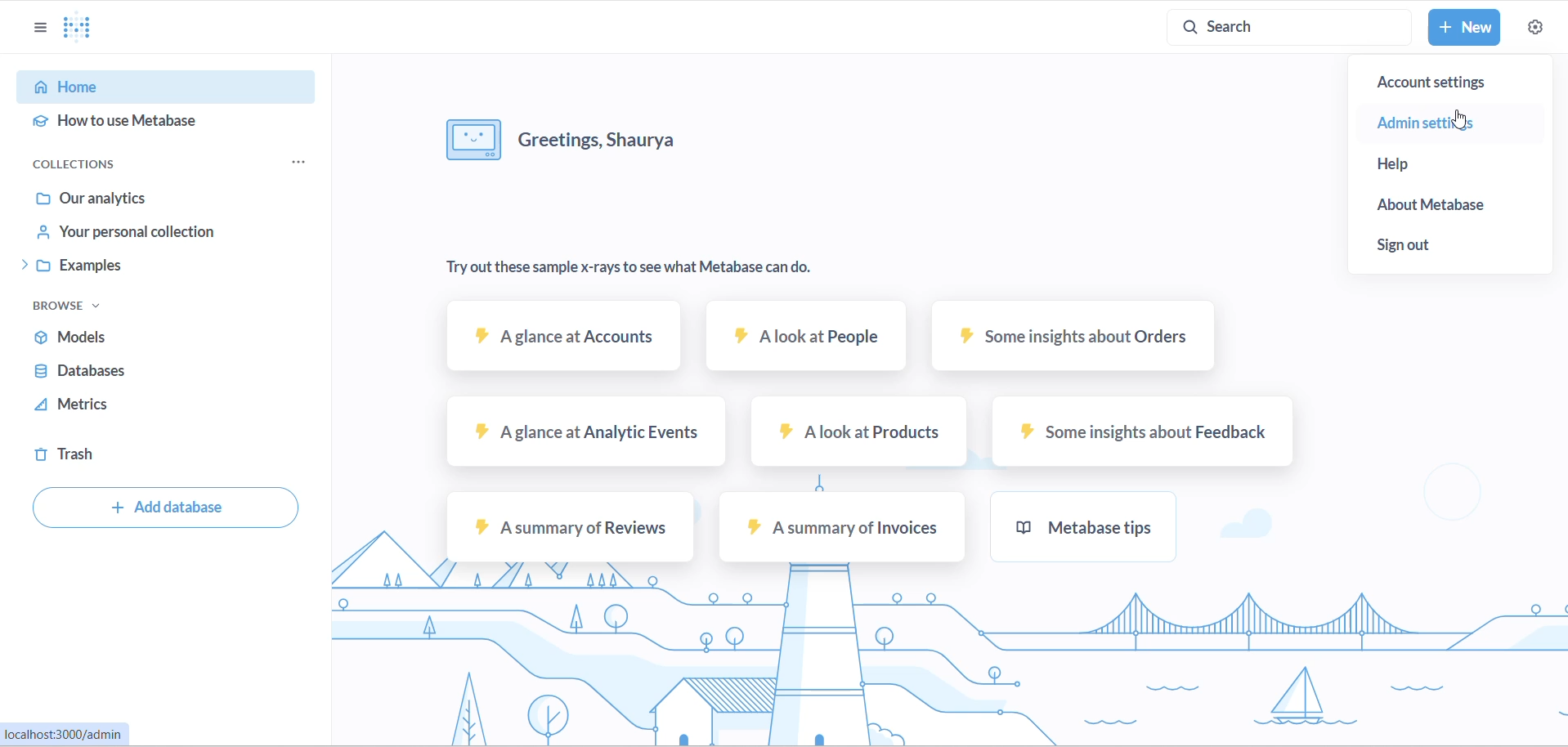 This screenshot has height=747, width=1568. I want to click on home, so click(147, 88).